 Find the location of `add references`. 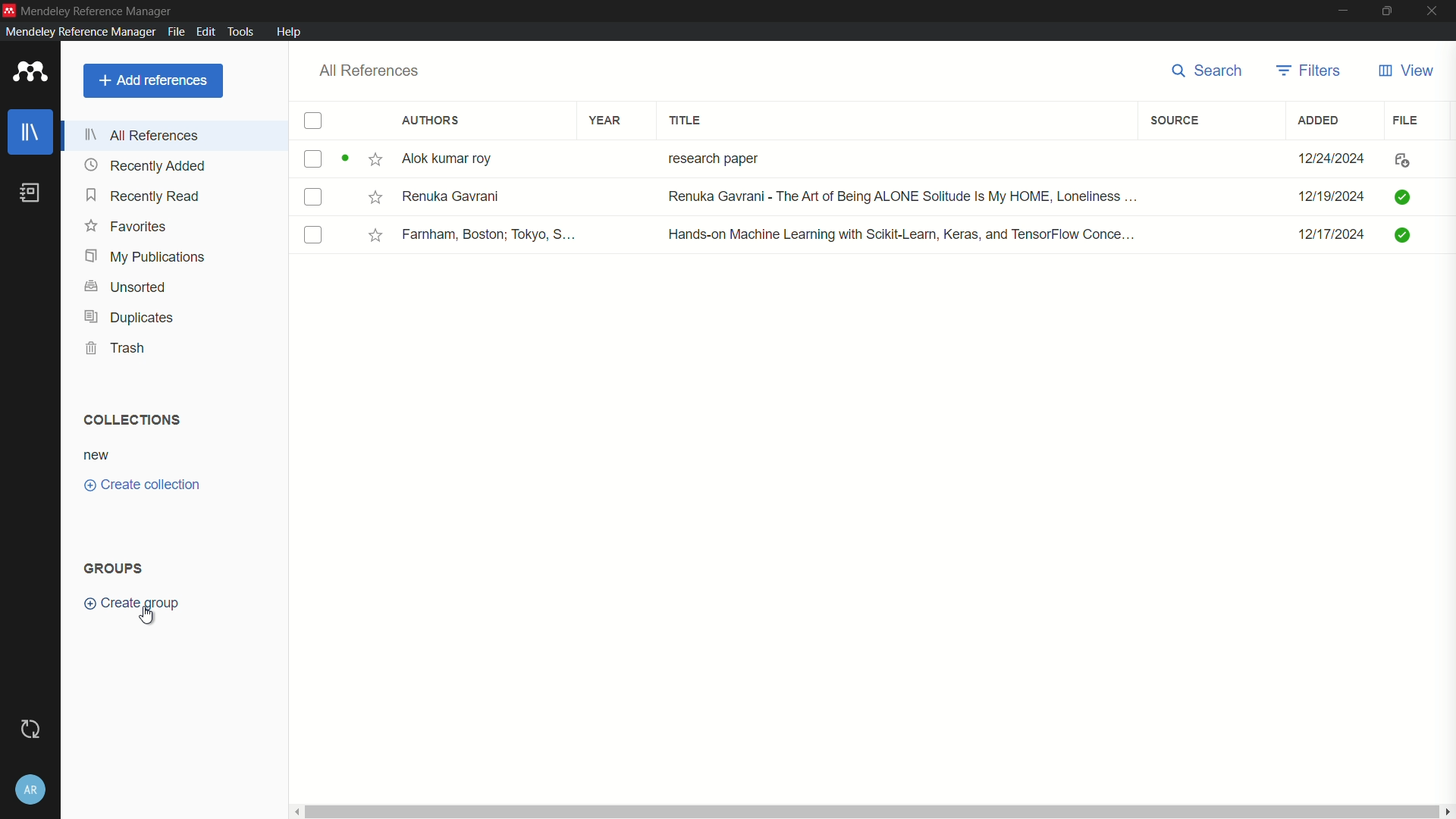

add references is located at coordinates (153, 80).